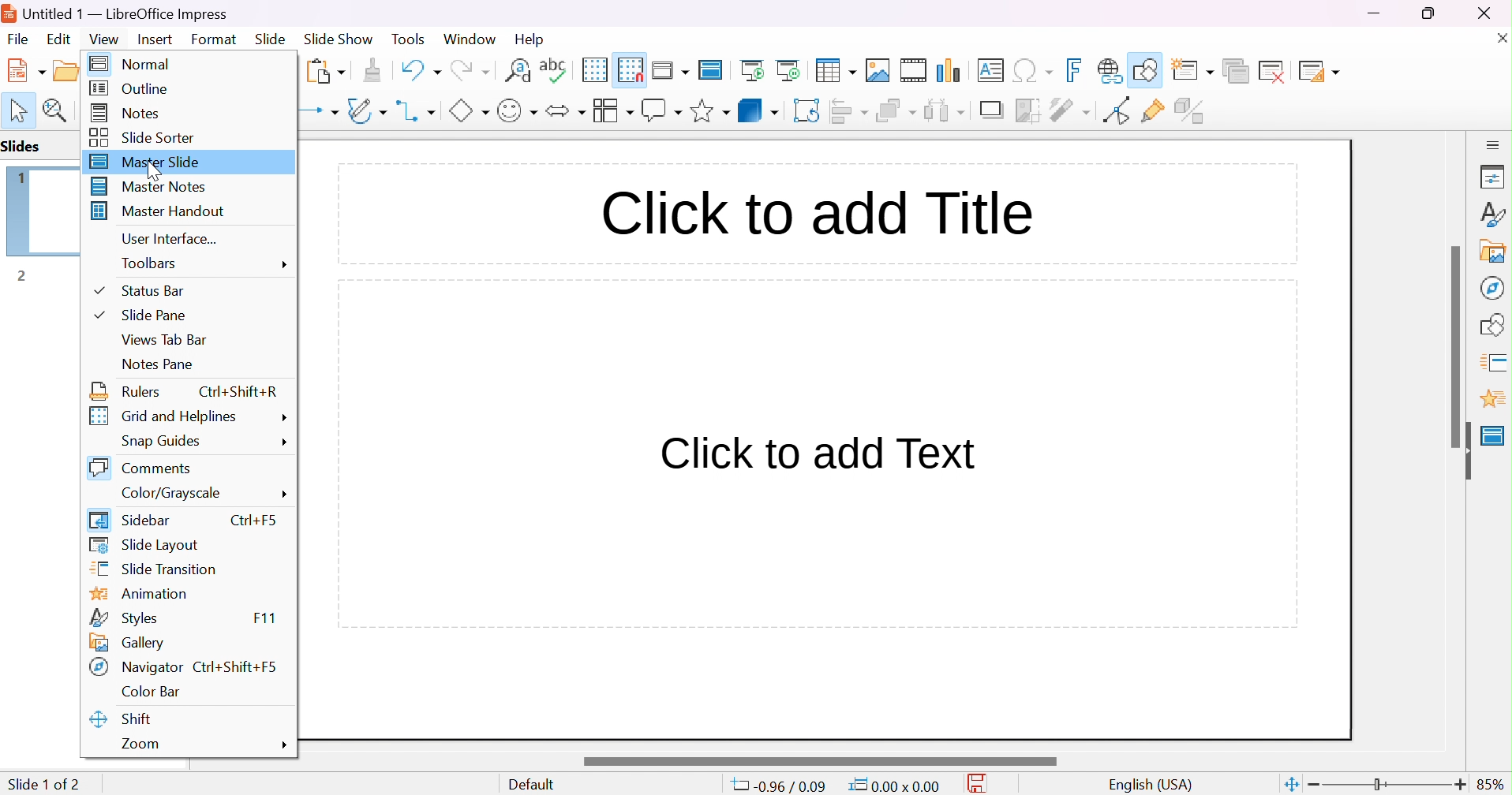 Image resolution: width=1512 pixels, height=795 pixels. What do you see at coordinates (1029, 110) in the screenshot?
I see `crop image` at bounding box center [1029, 110].